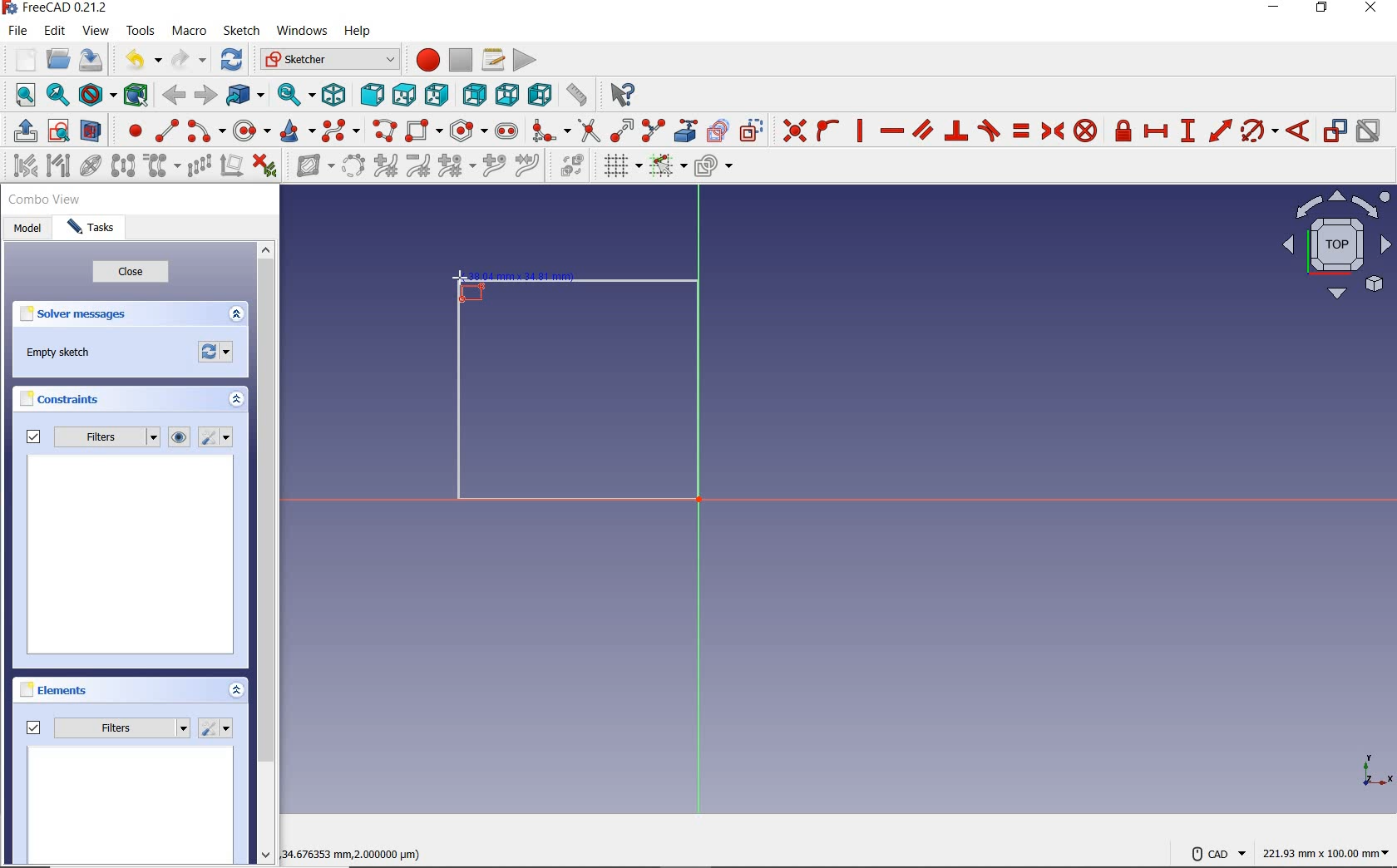 Image resolution: width=1397 pixels, height=868 pixels. Describe the element at coordinates (424, 131) in the screenshot. I see `create rectangle` at that location.